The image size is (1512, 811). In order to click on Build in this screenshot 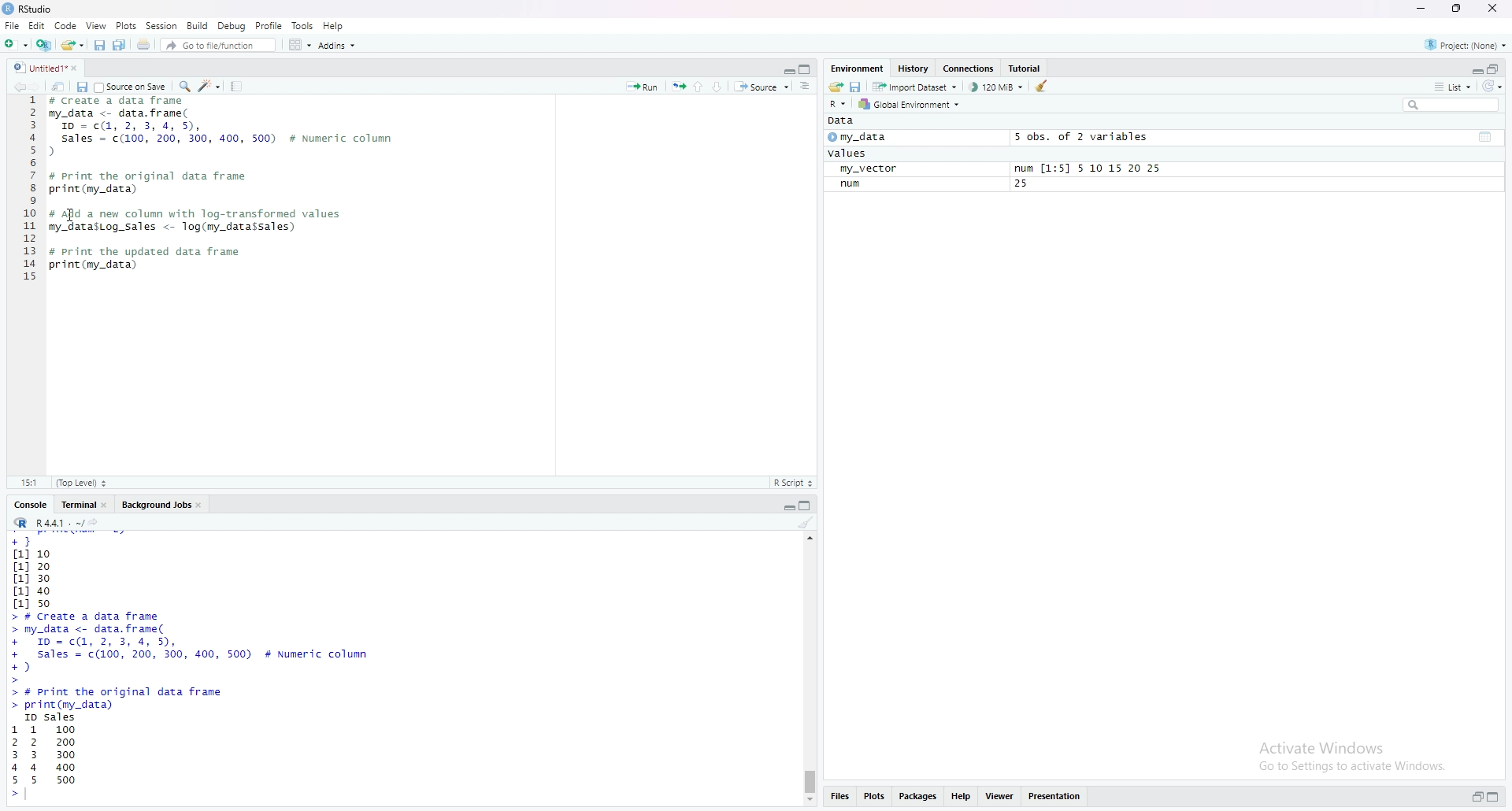, I will do `click(198, 25)`.